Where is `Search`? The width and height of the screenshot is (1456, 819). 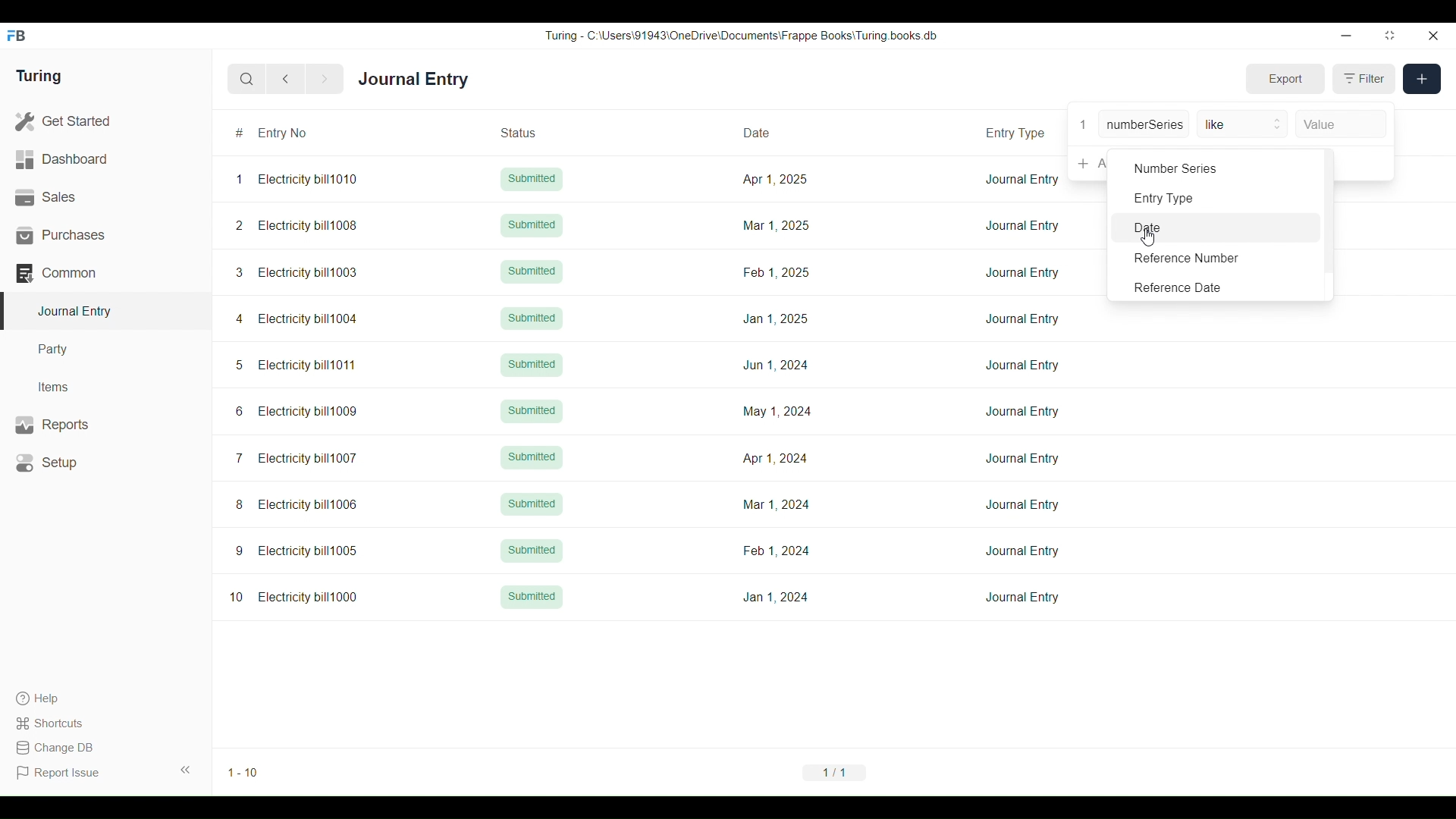
Search is located at coordinates (246, 80).